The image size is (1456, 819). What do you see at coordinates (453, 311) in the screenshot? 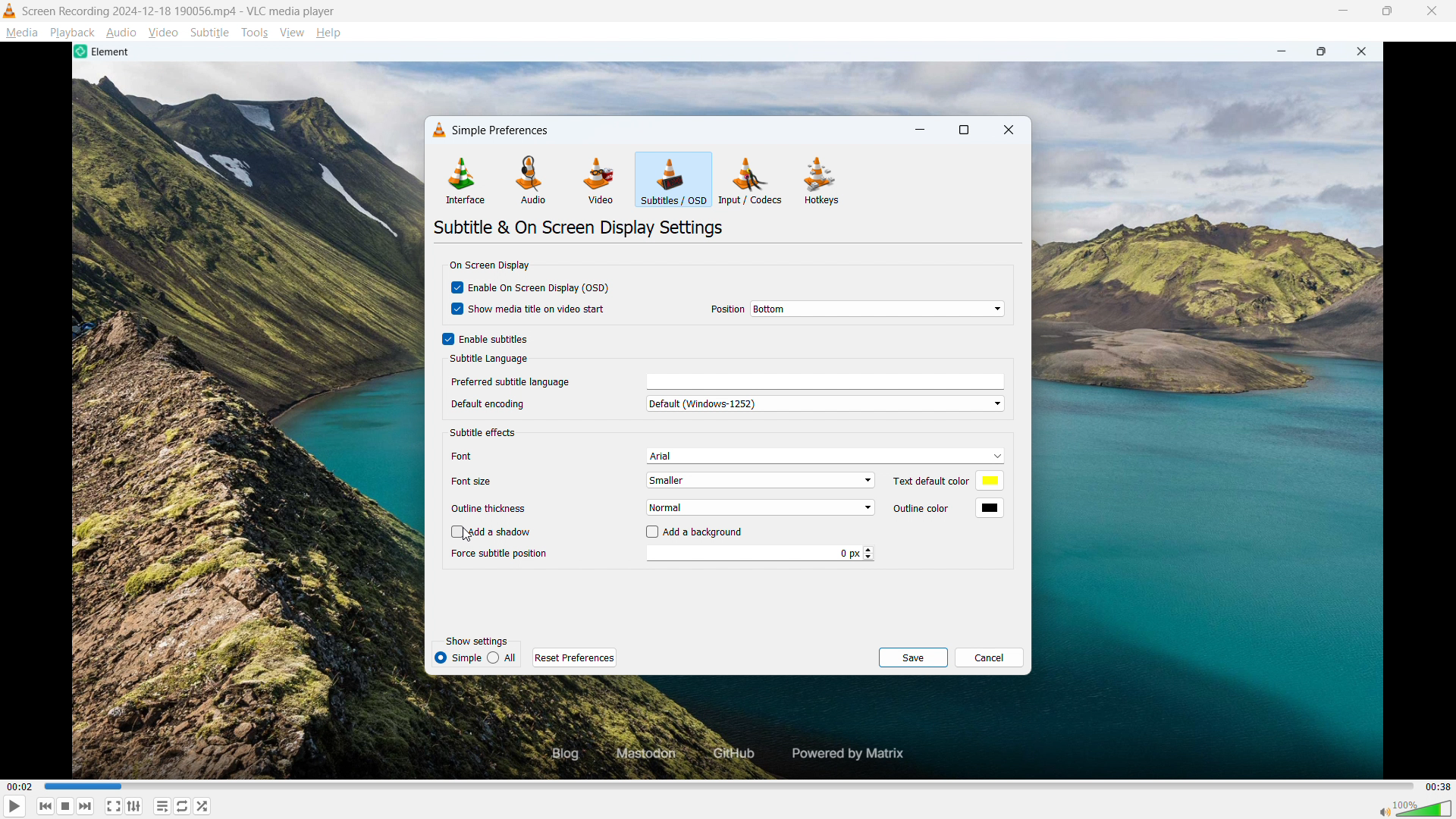
I see `checkbox` at bounding box center [453, 311].